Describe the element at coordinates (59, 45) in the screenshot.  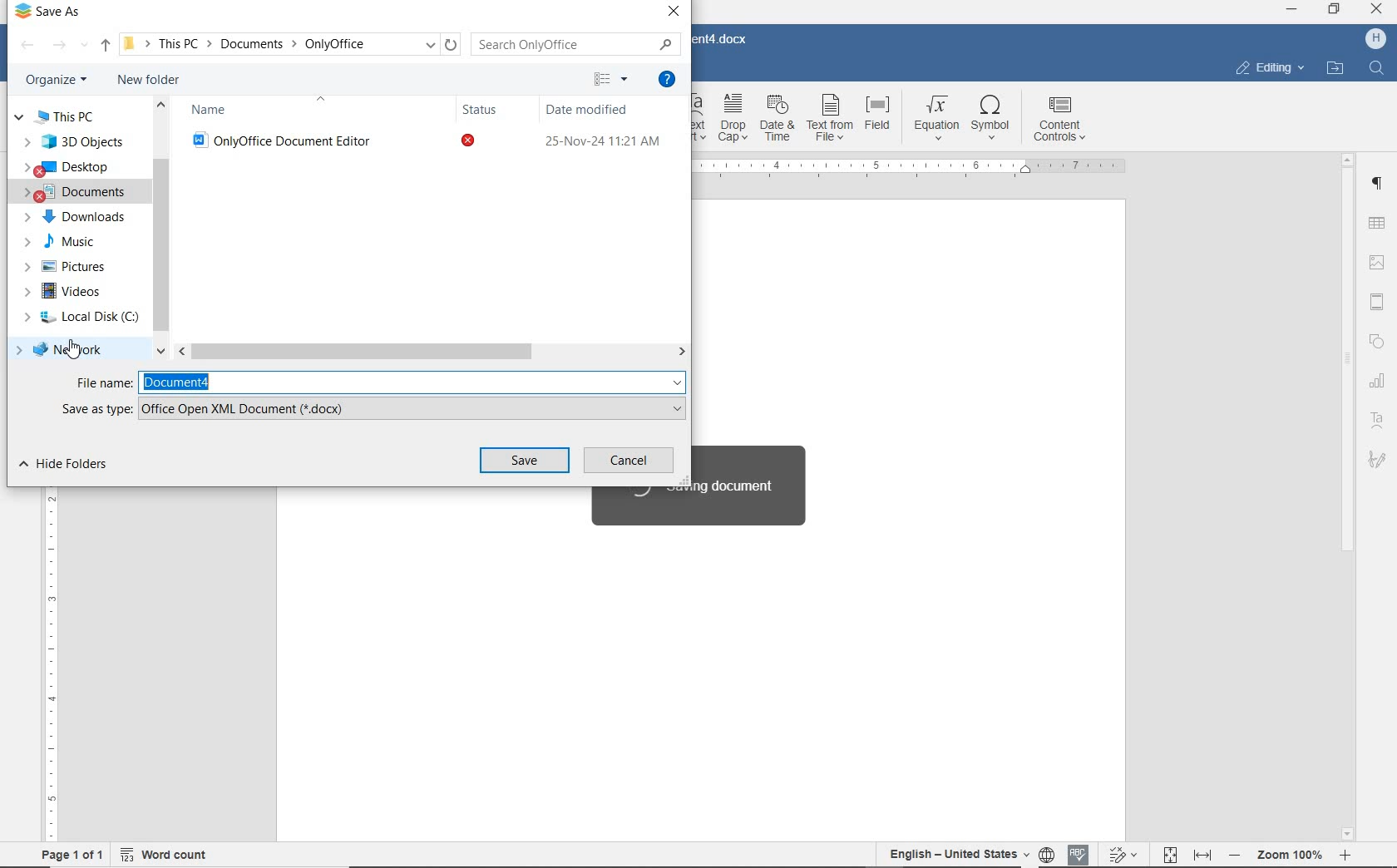
I see `forward` at that location.